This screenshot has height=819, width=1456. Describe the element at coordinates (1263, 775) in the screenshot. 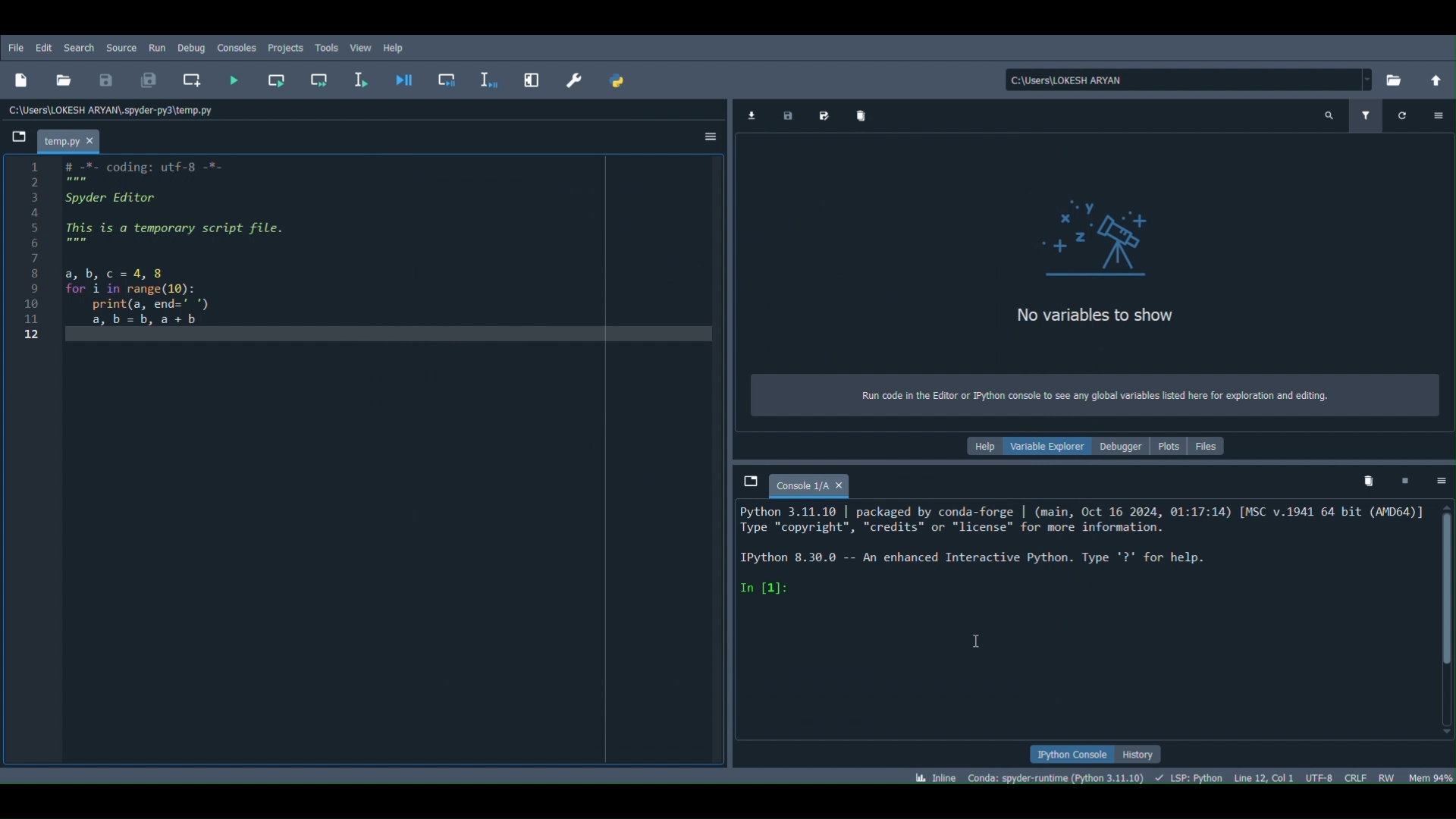

I see `Cursor position` at that location.